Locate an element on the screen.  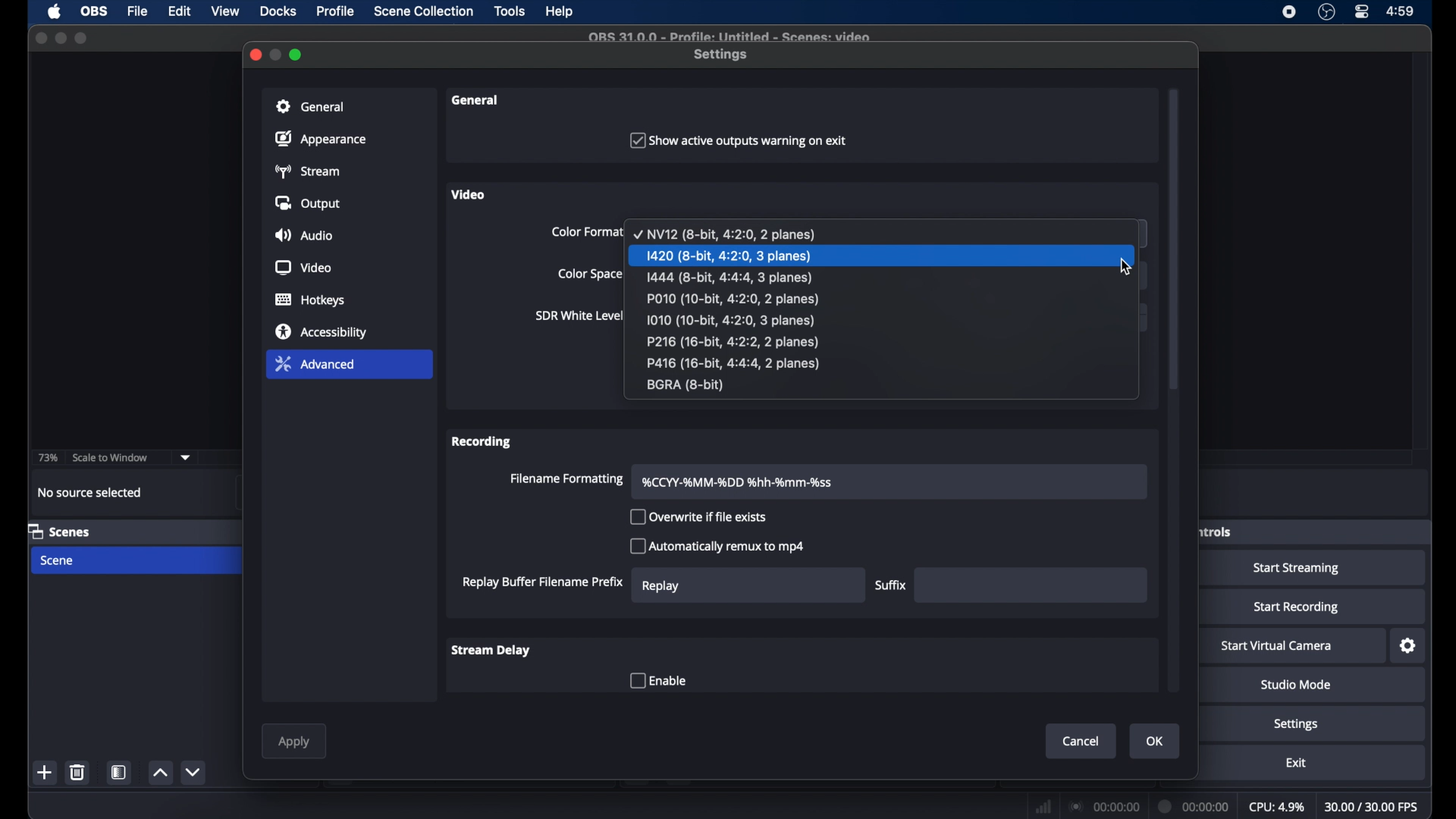
video is located at coordinates (469, 194).